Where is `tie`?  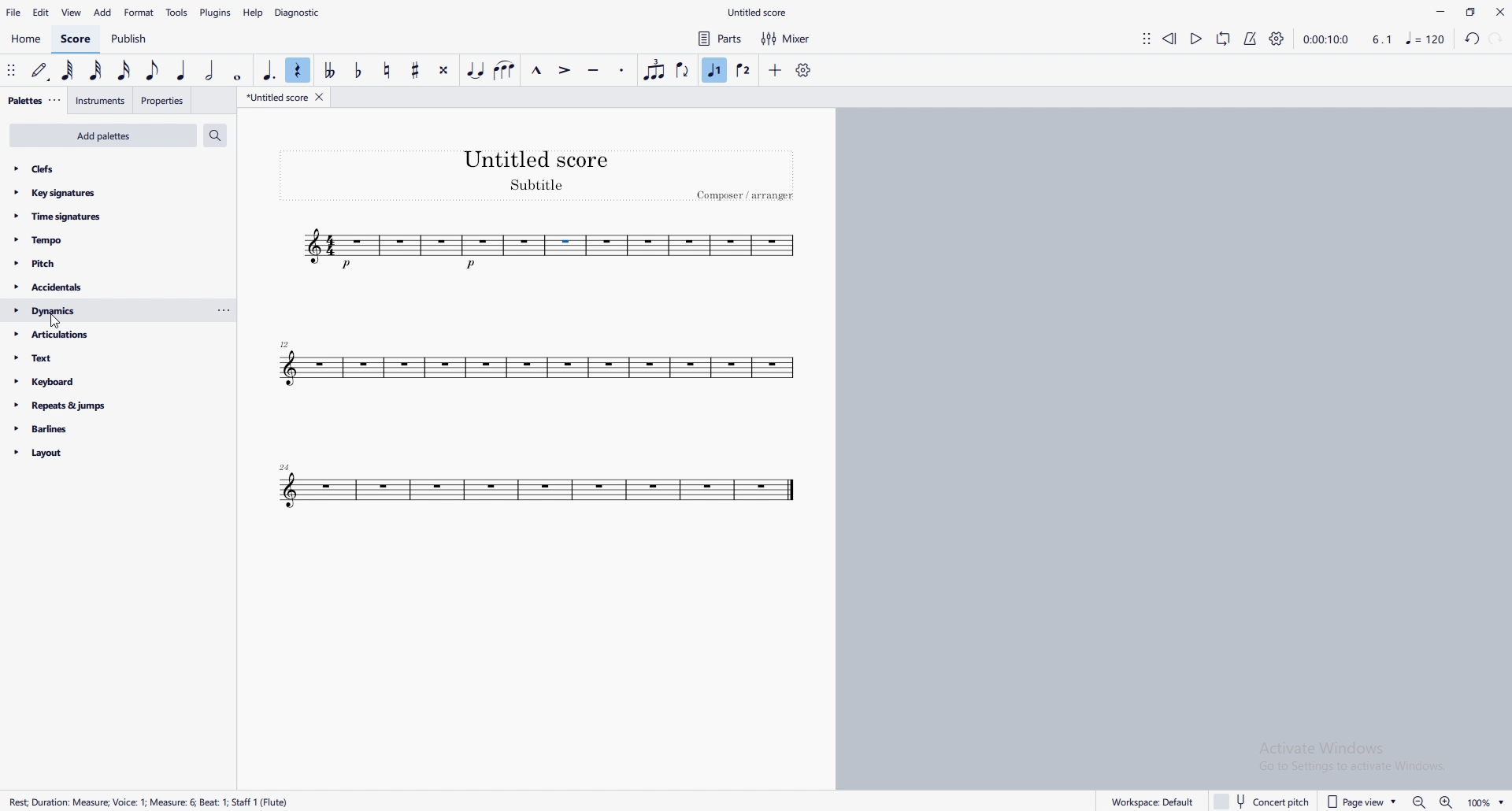
tie is located at coordinates (476, 72).